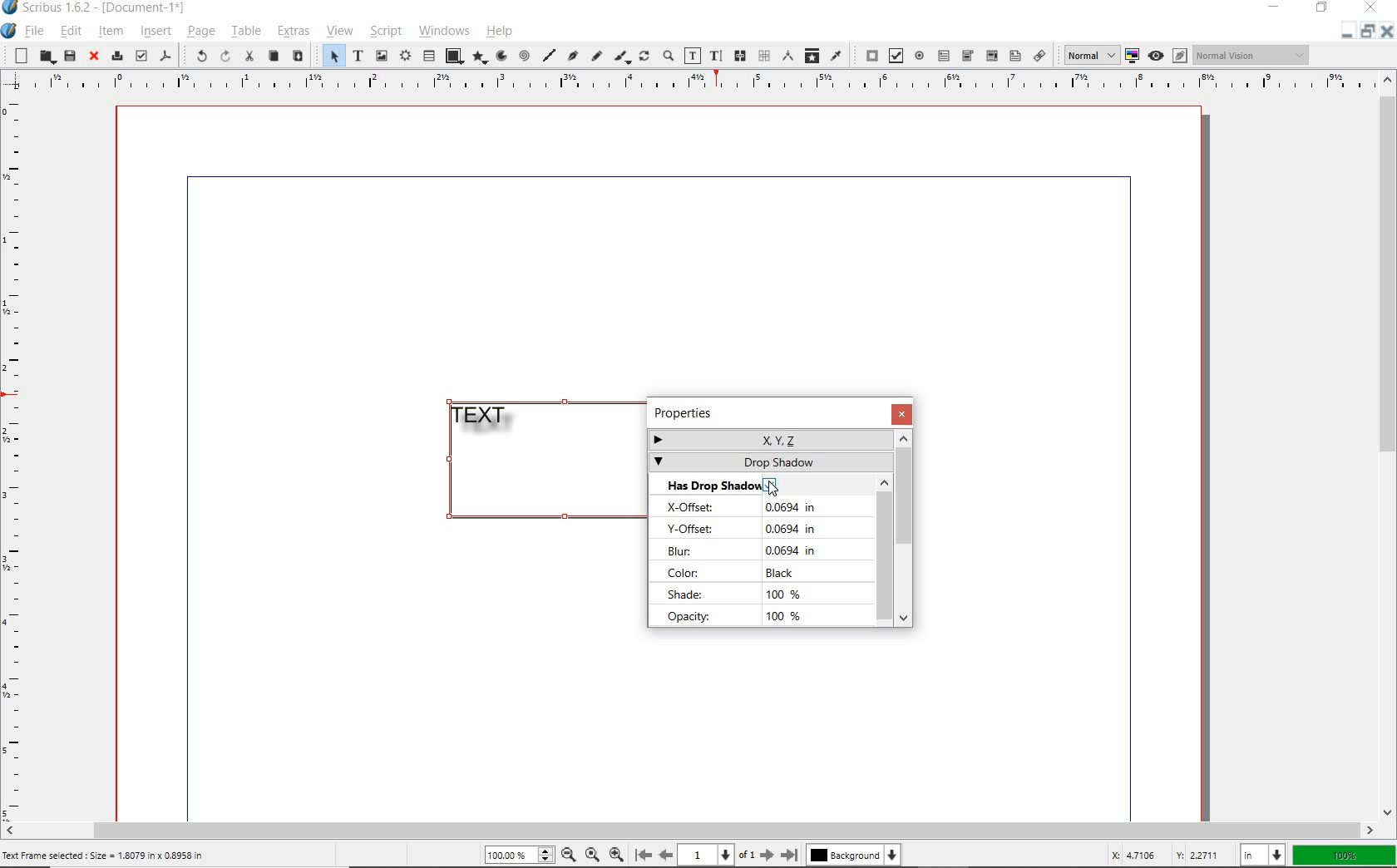 This screenshot has height=868, width=1397. Describe the element at coordinates (295, 32) in the screenshot. I see `extras` at that location.